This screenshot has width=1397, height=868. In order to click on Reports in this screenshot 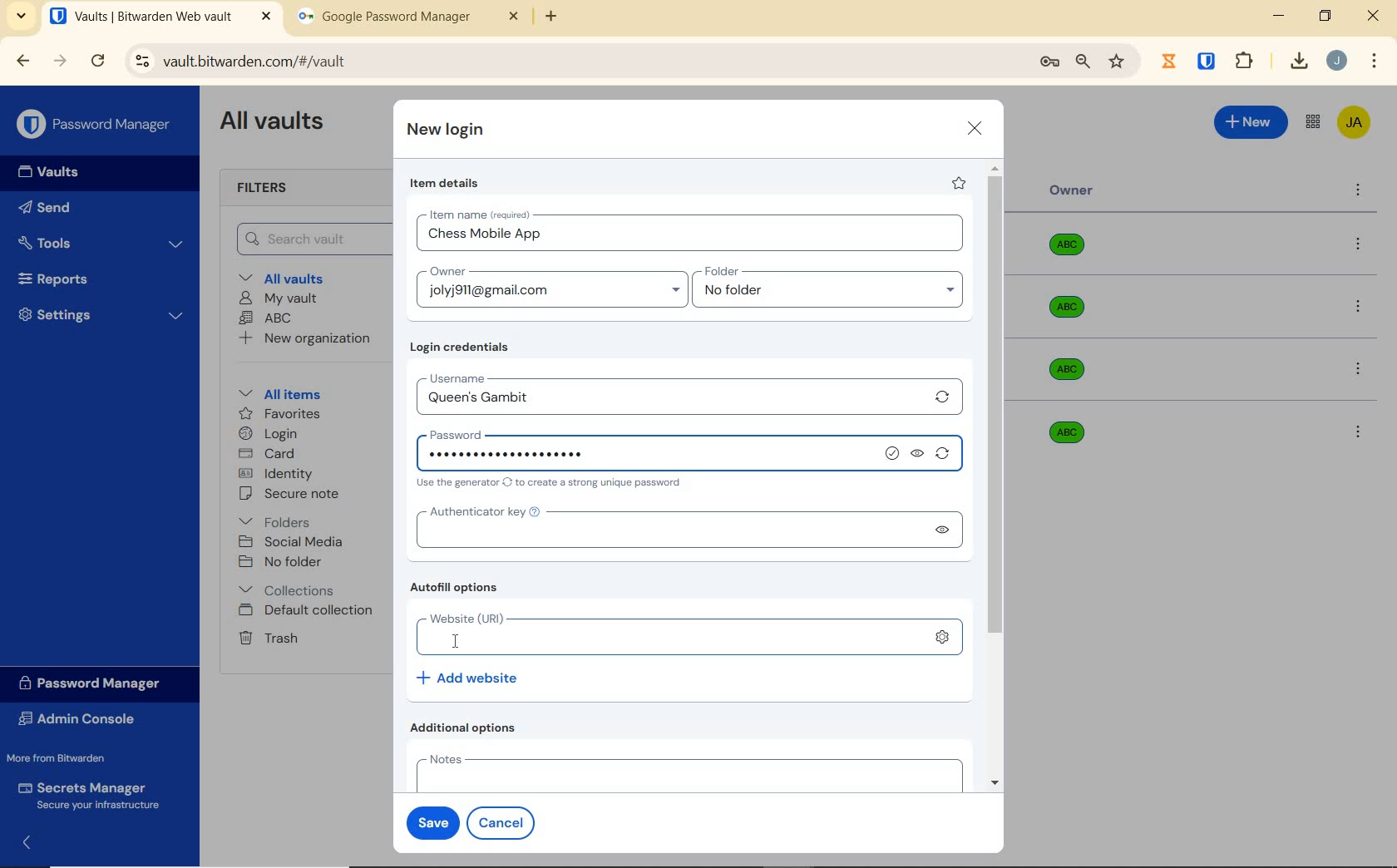, I will do `click(72, 275)`.